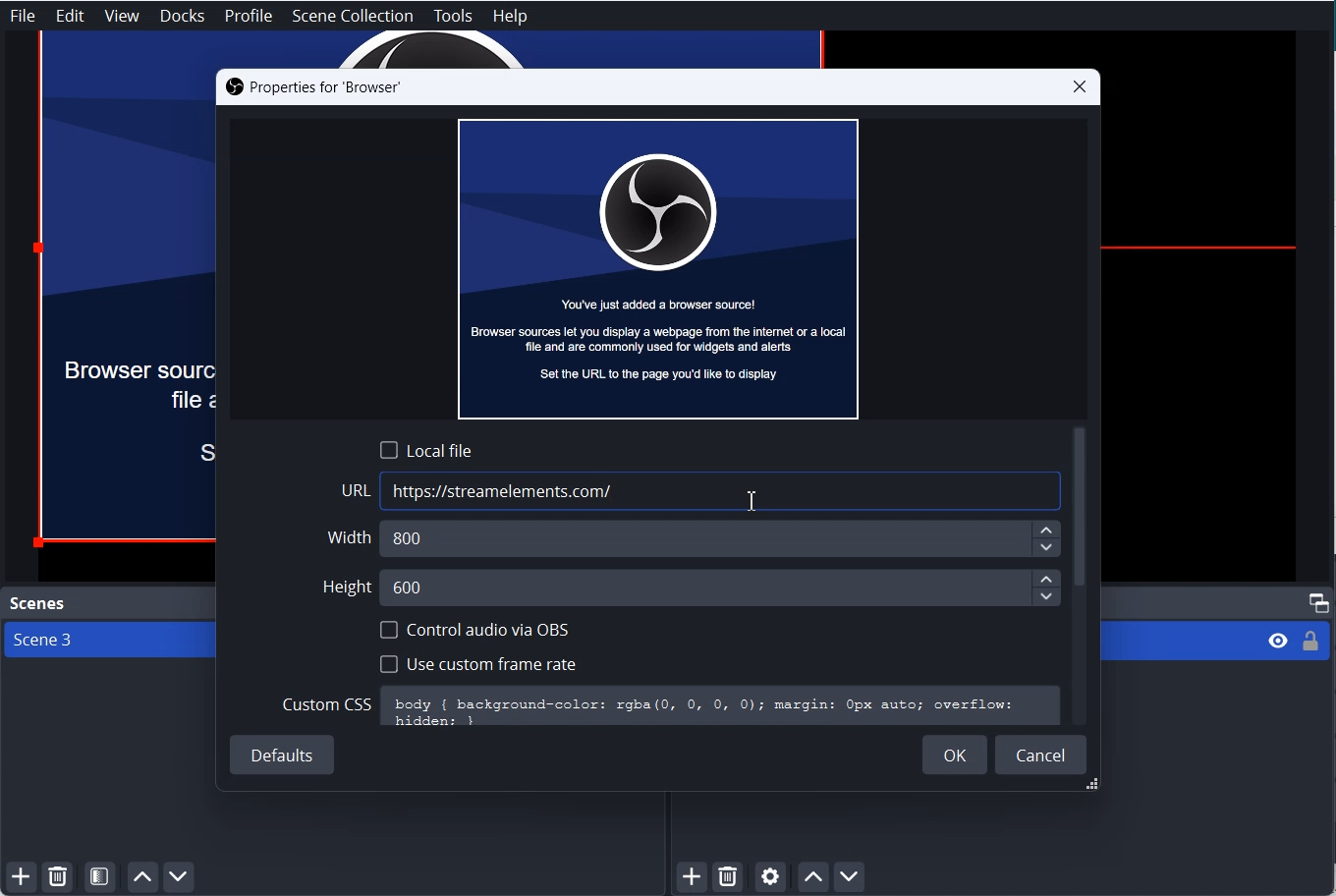 This screenshot has width=1336, height=896. I want to click on insertion cursor, so click(750, 502).